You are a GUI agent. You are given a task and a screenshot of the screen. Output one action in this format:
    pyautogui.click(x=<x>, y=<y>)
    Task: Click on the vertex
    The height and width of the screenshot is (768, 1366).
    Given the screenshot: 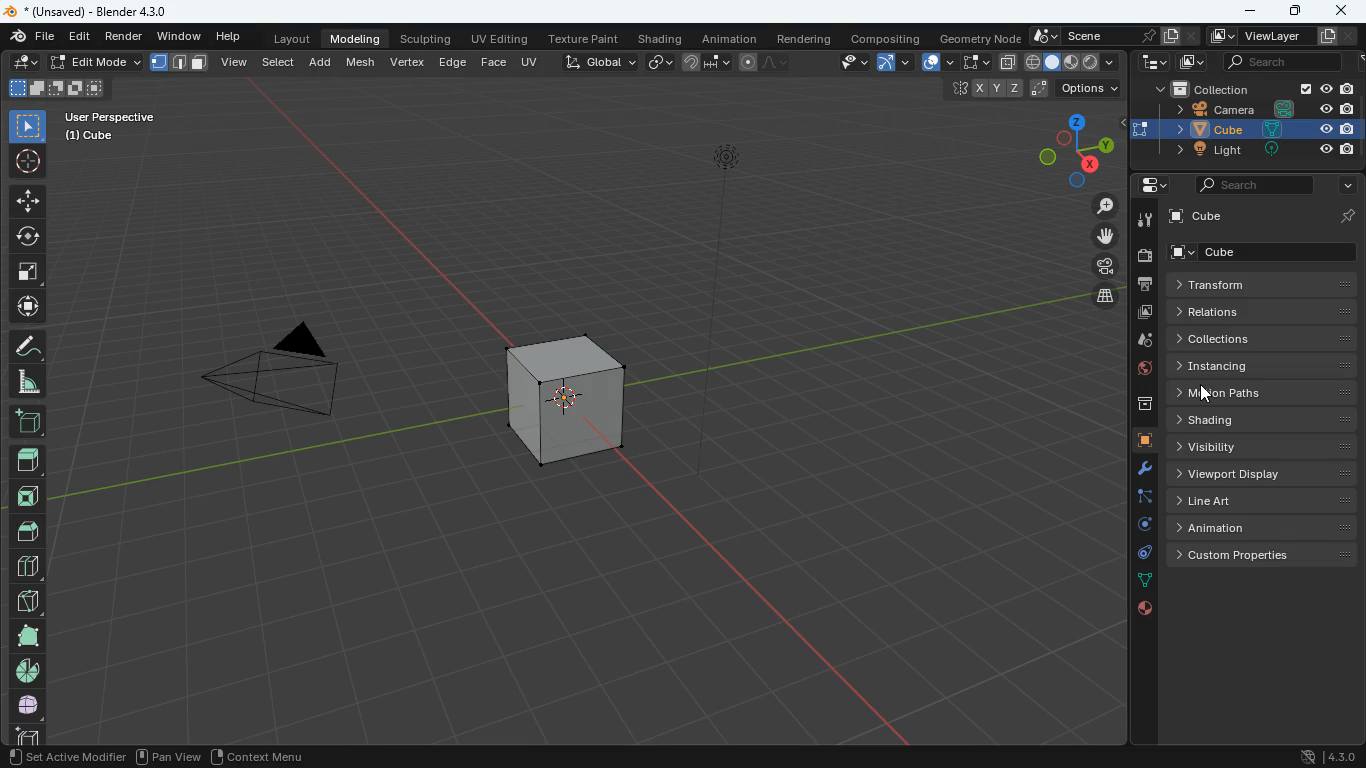 What is the action you would take?
    pyautogui.click(x=407, y=61)
    